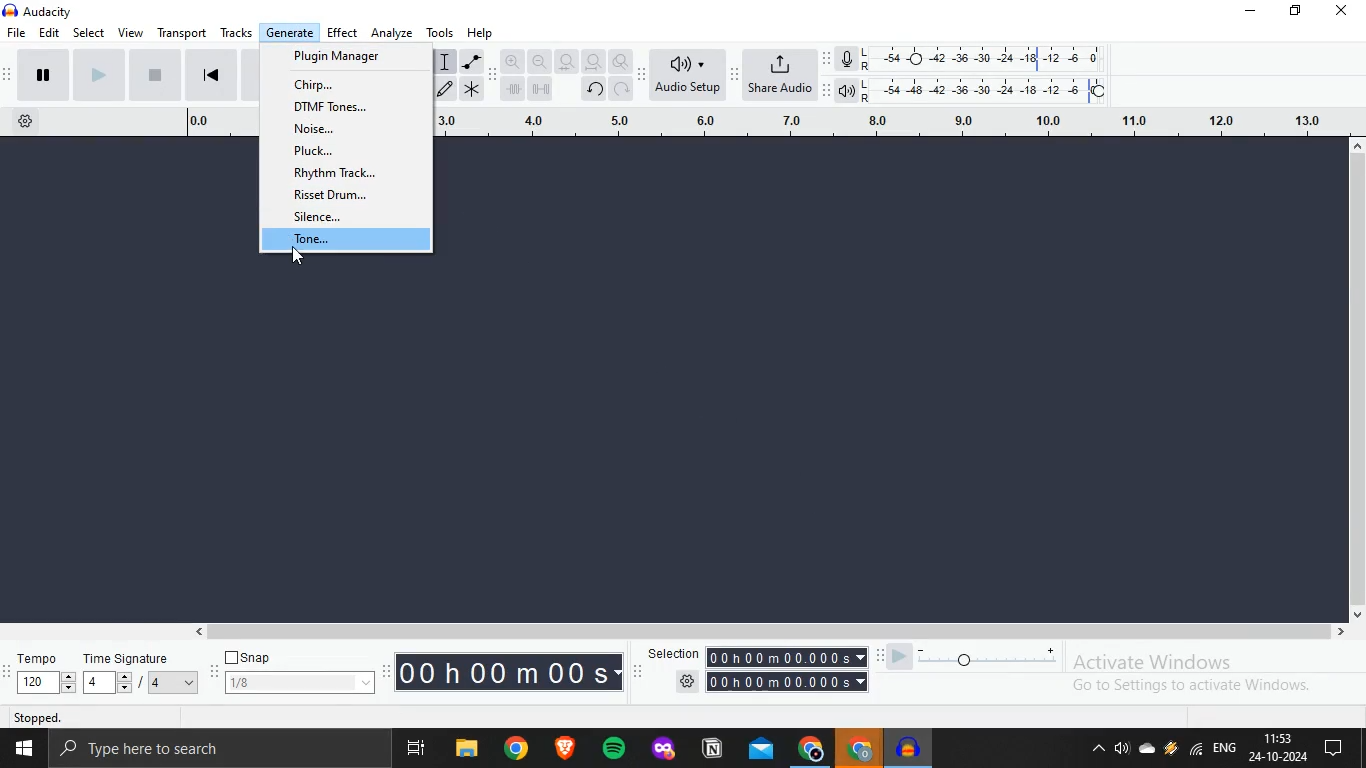  I want to click on Cursor, so click(299, 256).